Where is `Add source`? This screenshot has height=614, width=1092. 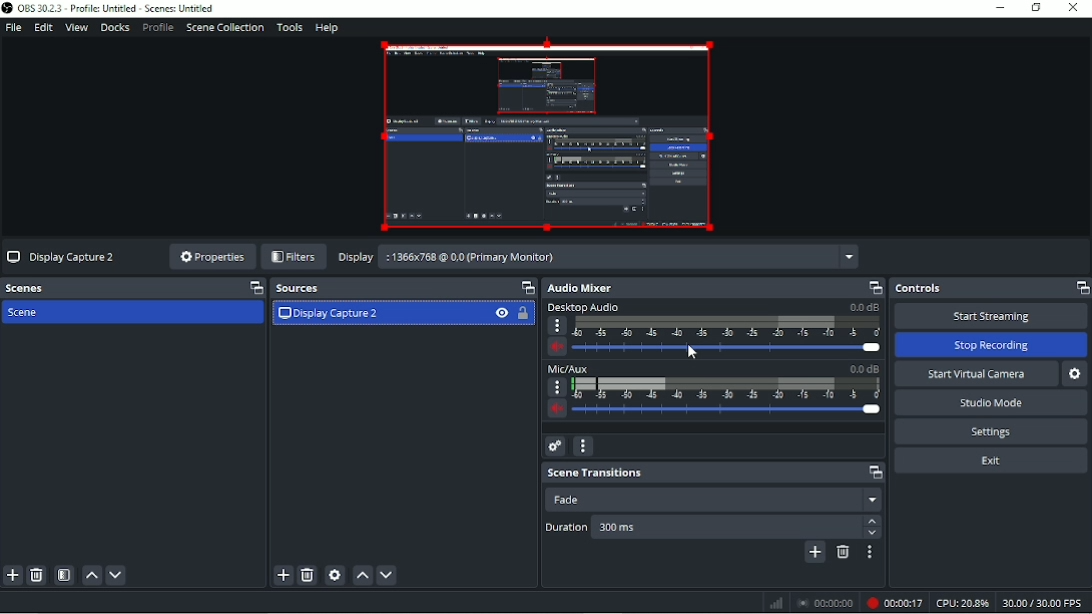 Add source is located at coordinates (282, 575).